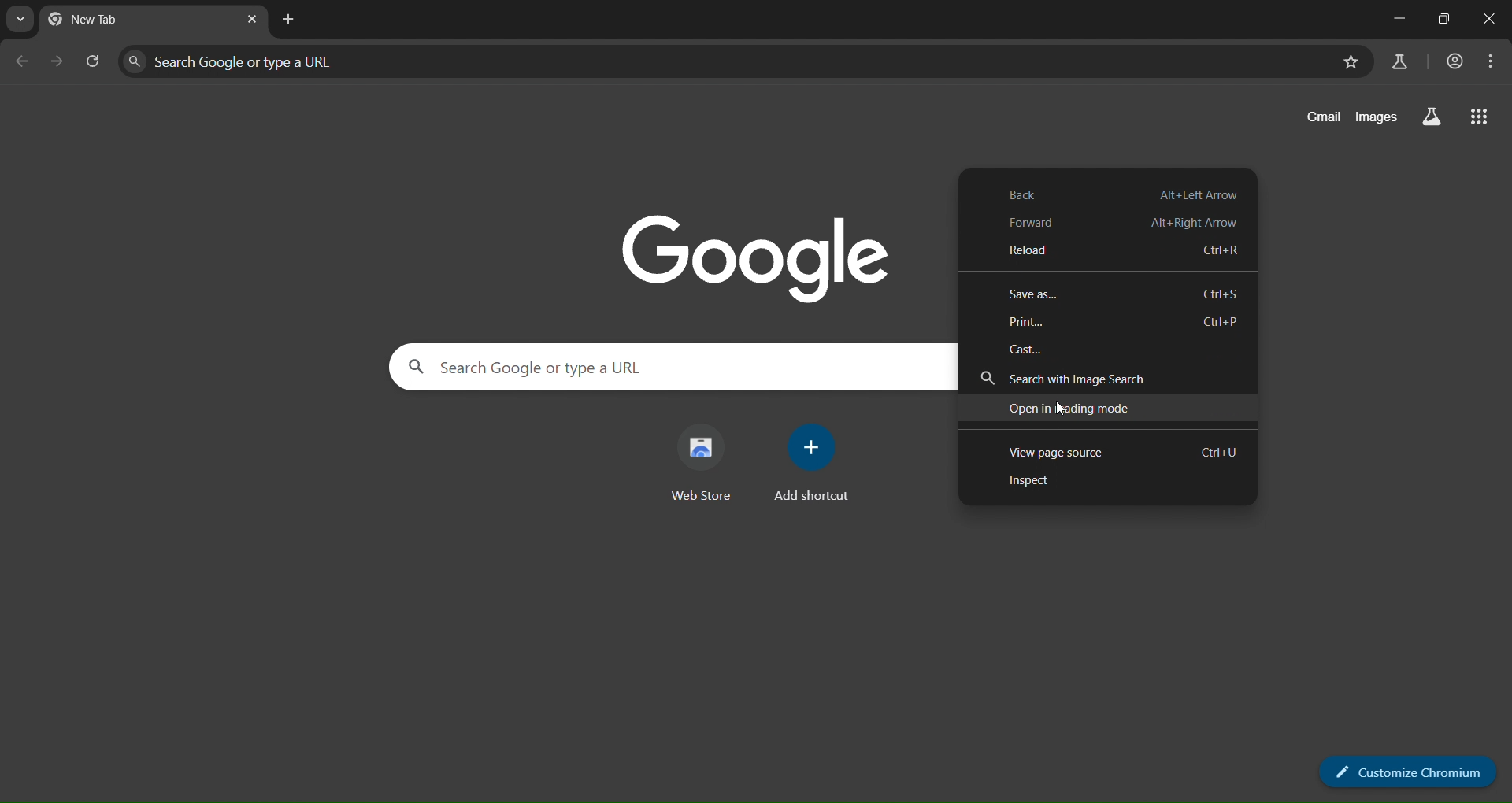  Describe the element at coordinates (1485, 60) in the screenshot. I see `menu` at that location.